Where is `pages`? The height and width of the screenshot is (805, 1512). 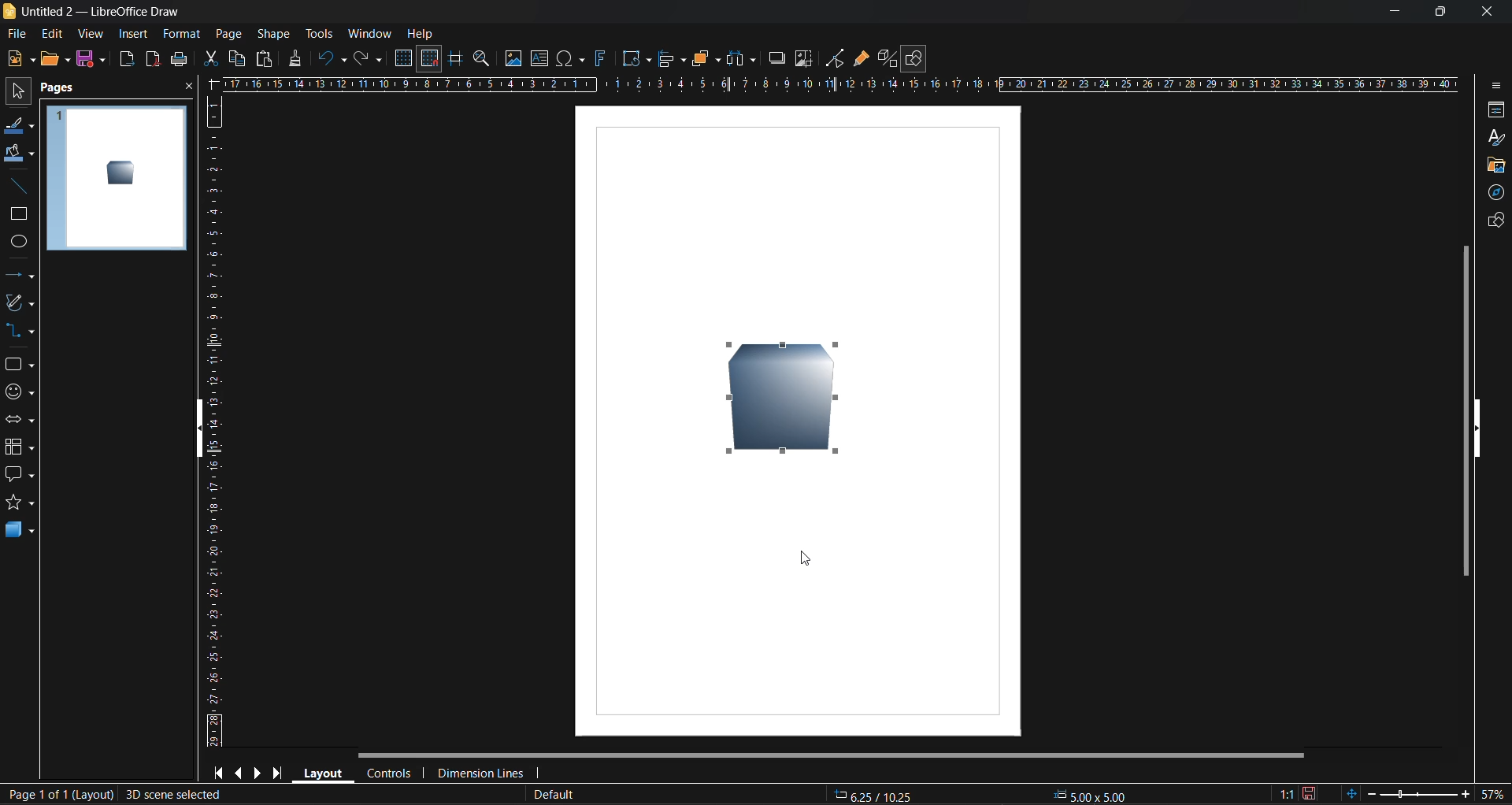 pages is located at coordinates (62, 88).